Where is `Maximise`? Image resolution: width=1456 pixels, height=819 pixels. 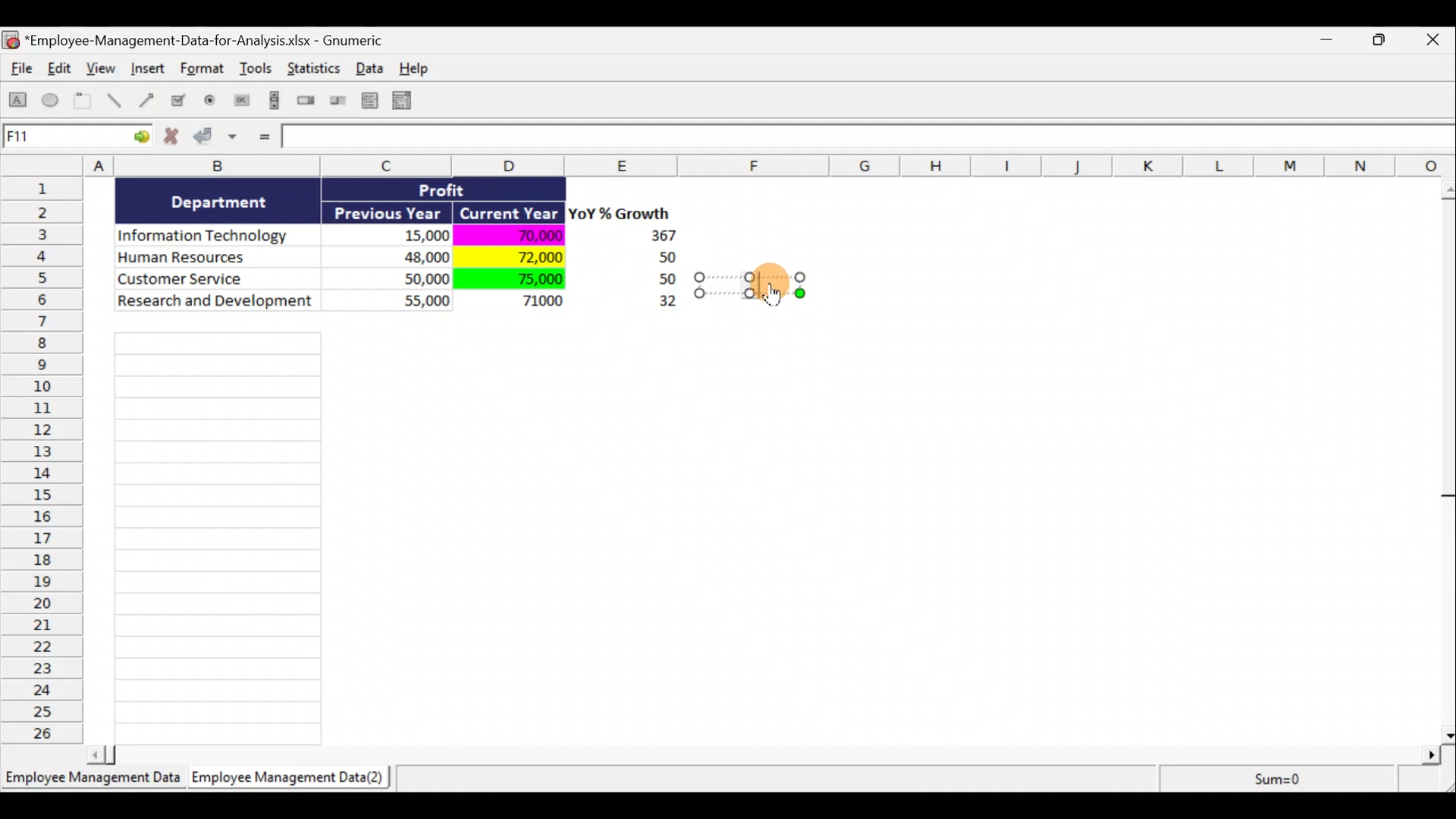 Maximise is located at coordinates (1387, 38).